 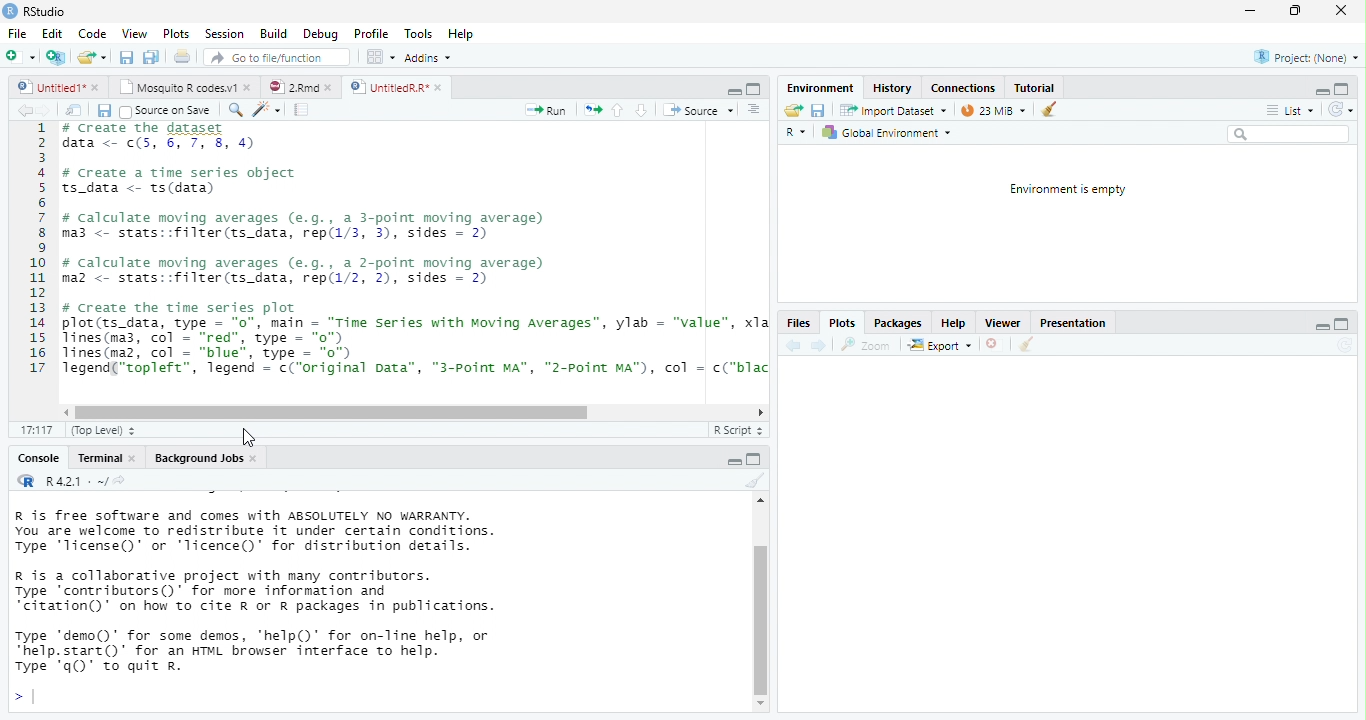 What do you see at coordinates (273, 57) in the screenshot?
I see `Go to file/function` at bounding box center [273, 57].